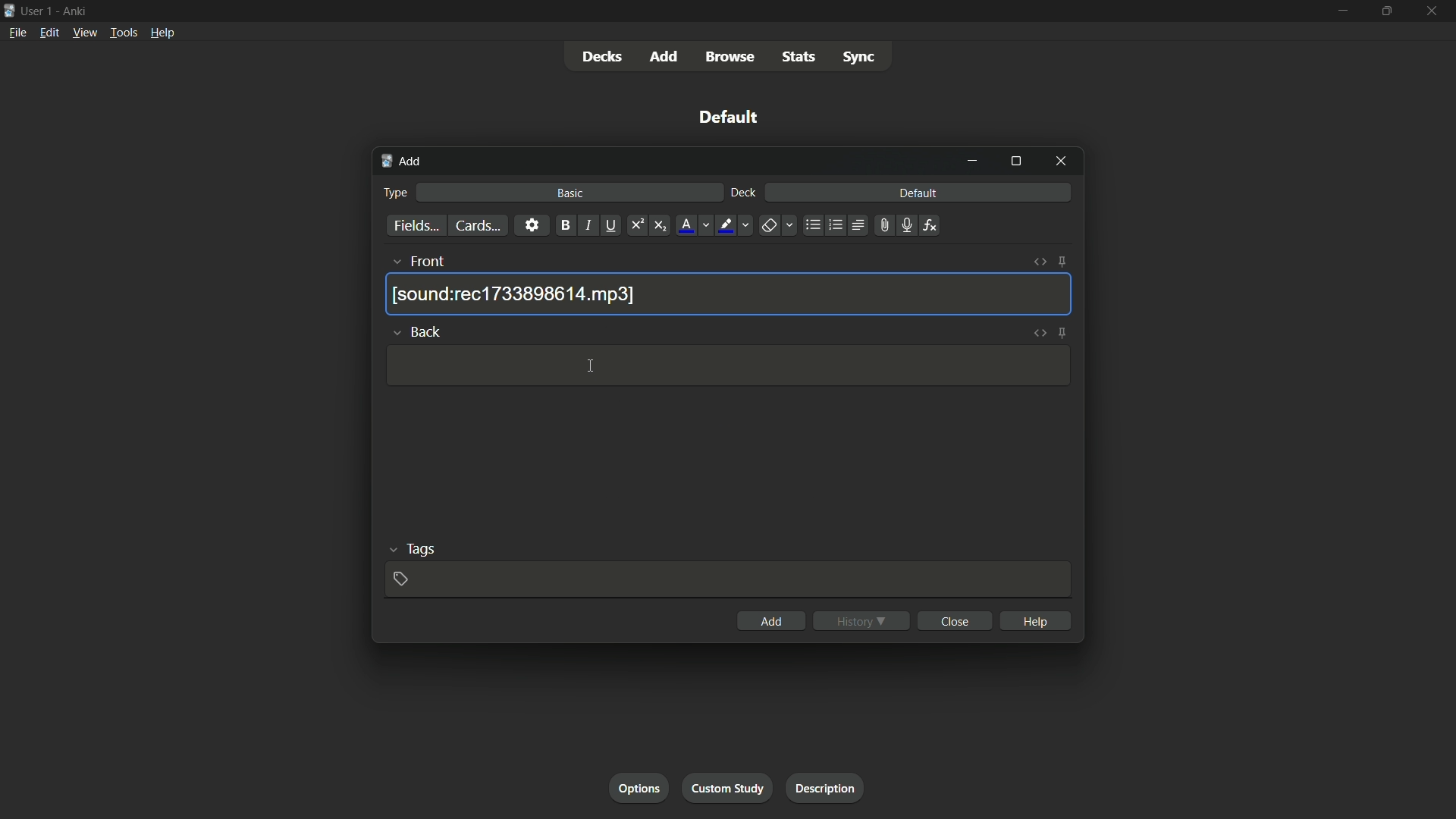 The width and height of the screenshot is (1456, 819). I want to click on attach, so click(881, 225).